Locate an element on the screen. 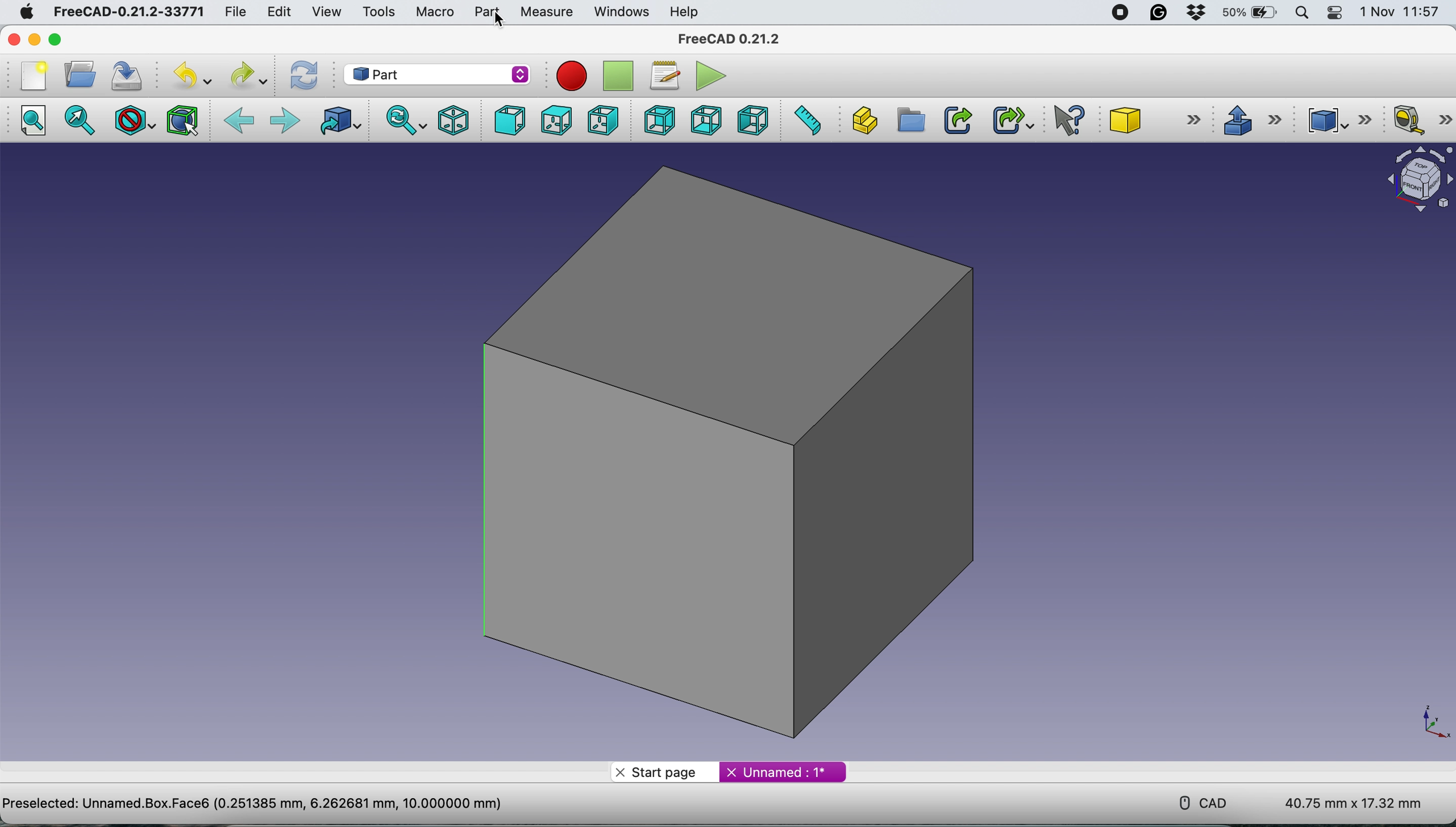 The width and height of the screenshot is (1456, 827). execute macros is located at coordinates (710, 74).